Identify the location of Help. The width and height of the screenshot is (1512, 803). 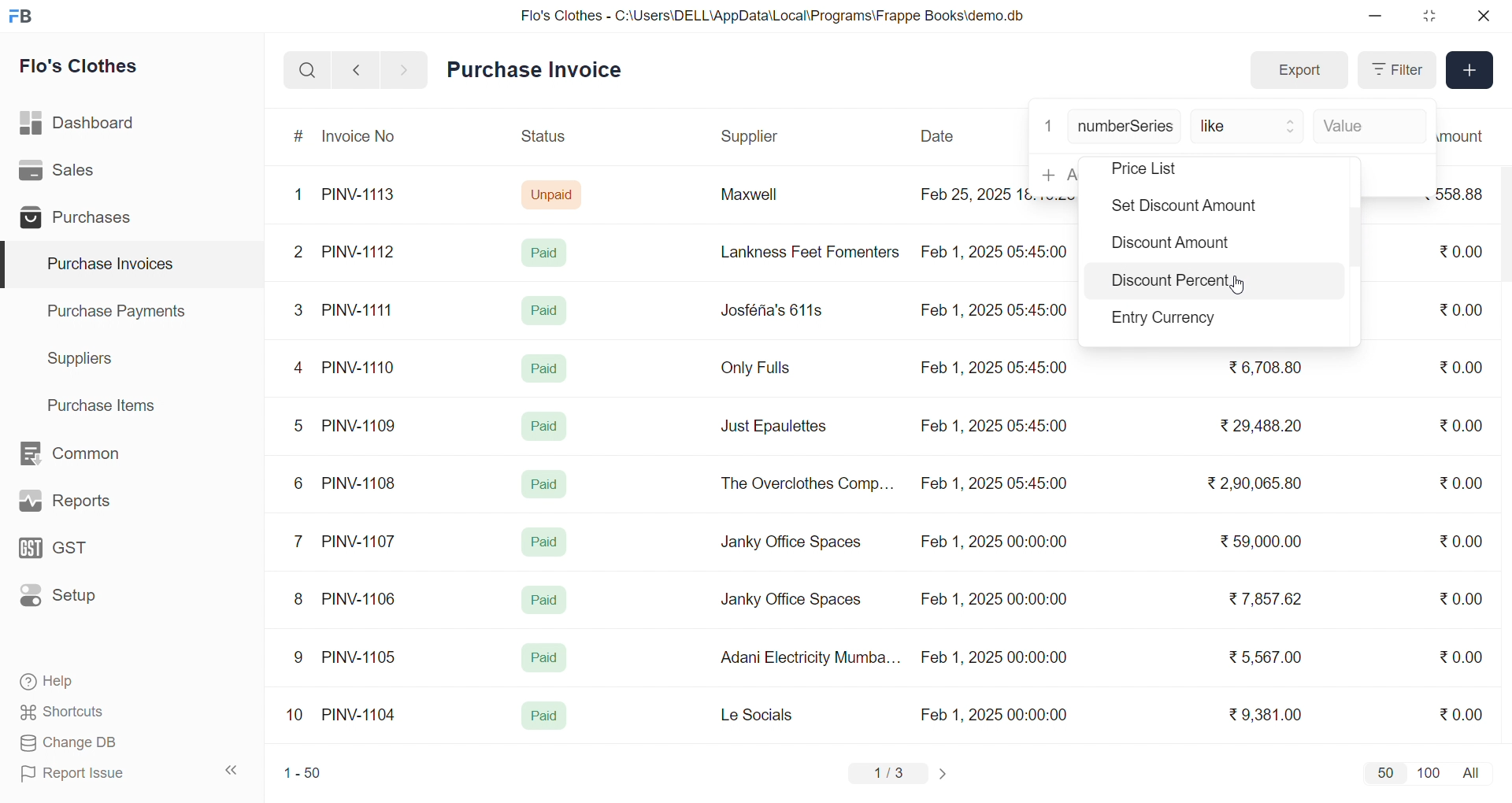
(98, 683).